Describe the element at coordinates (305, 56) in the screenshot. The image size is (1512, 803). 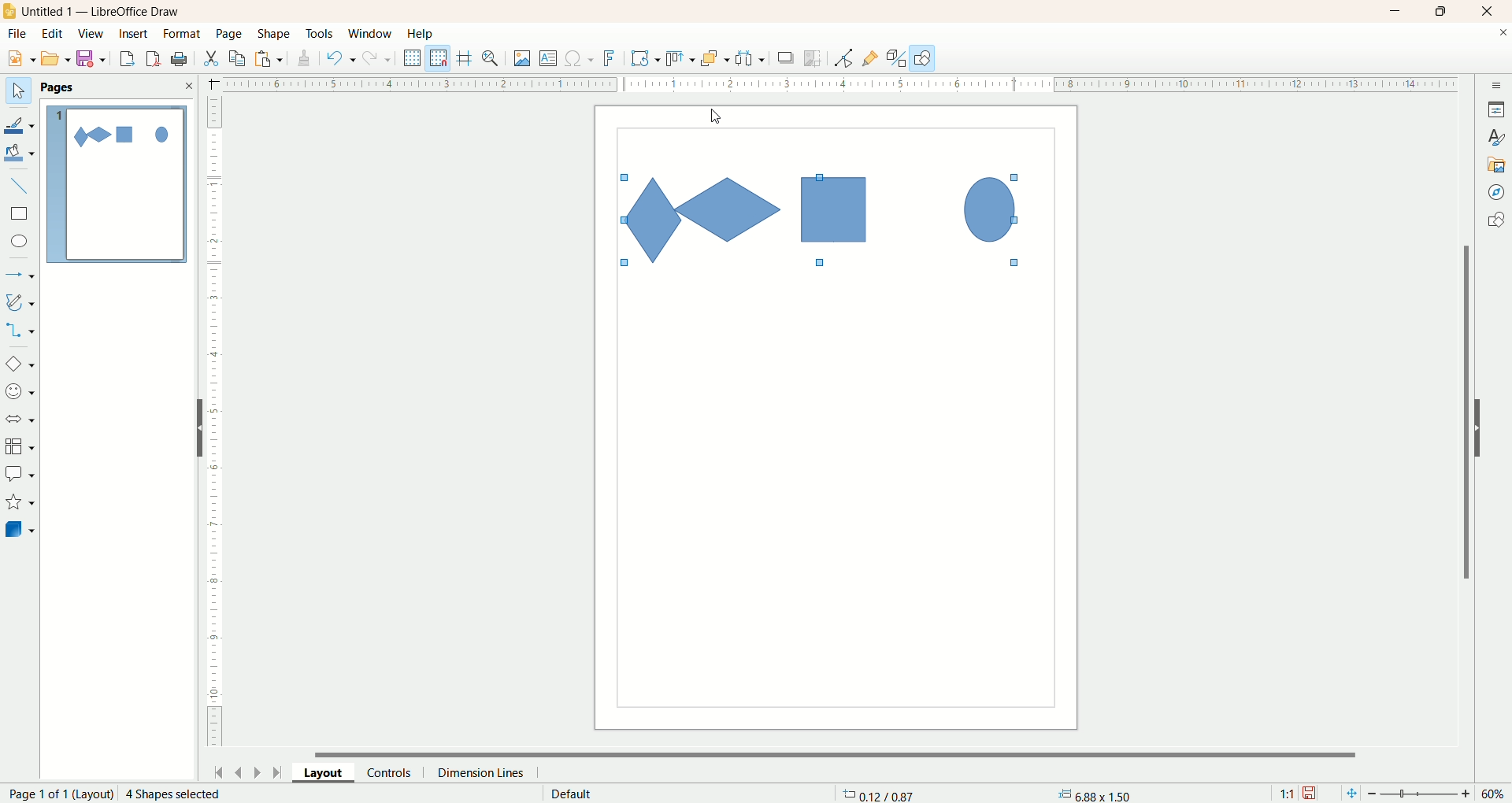
I see `clone formatting` at that location.